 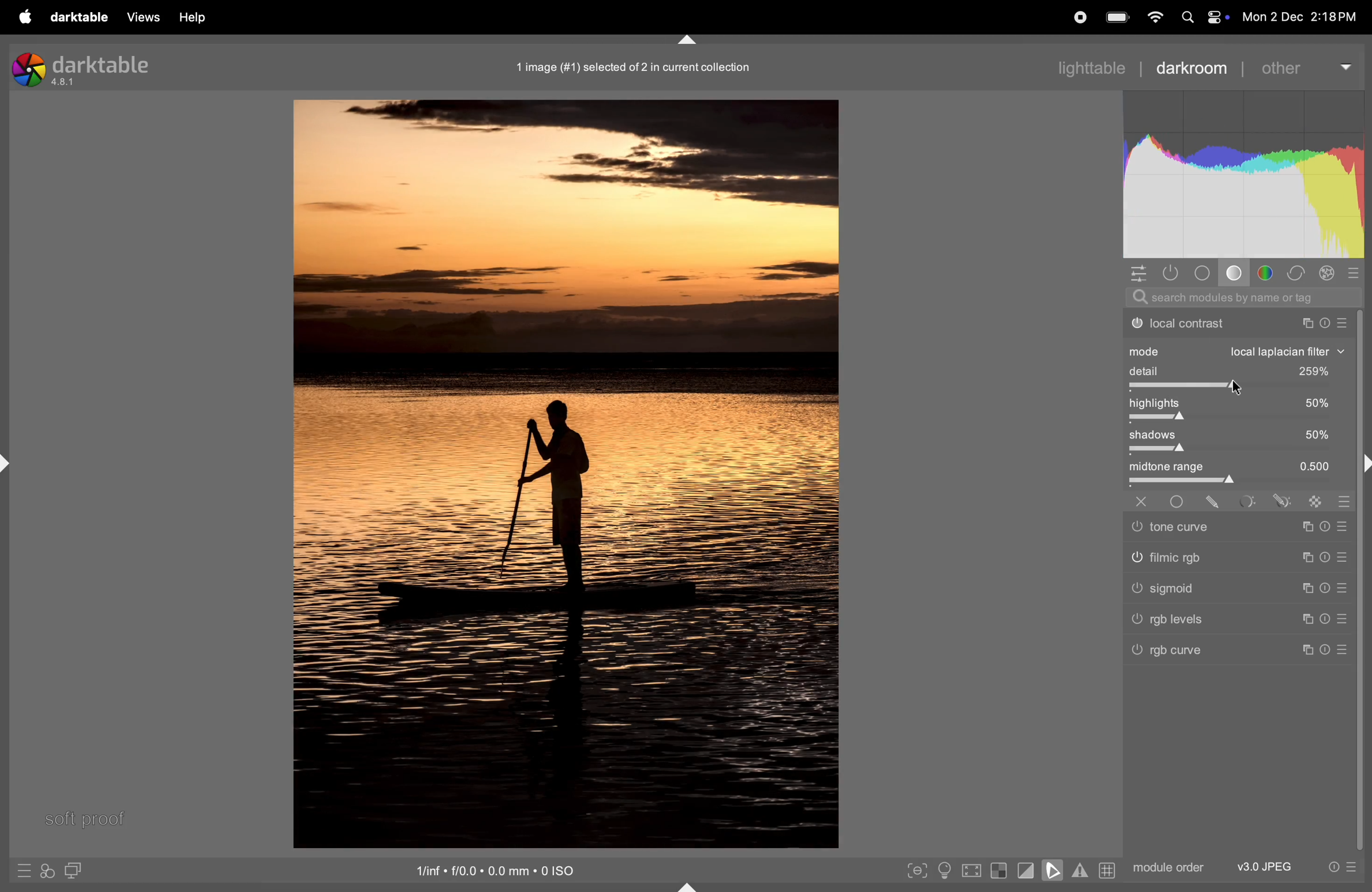 I want to click on toggle clipping indication, so click(x=1026, y=870).